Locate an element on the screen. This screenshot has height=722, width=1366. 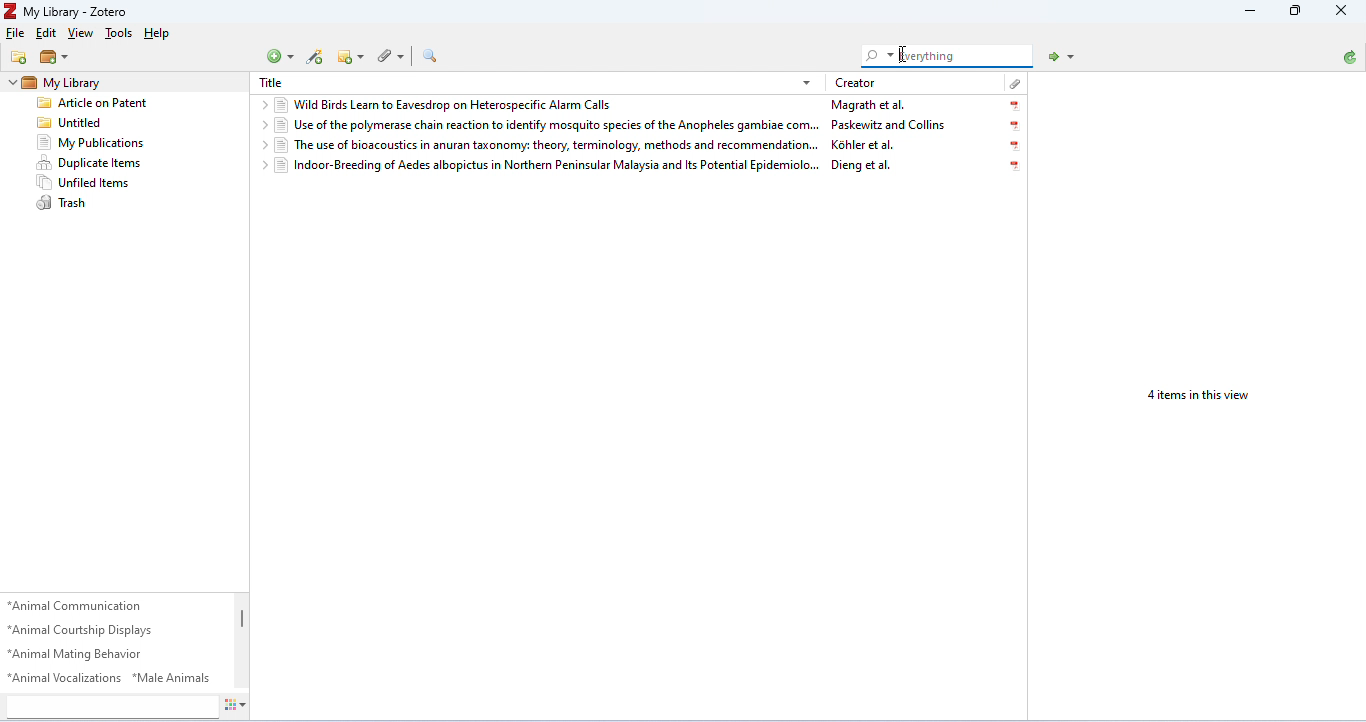
Use of the polymerase chain reaction to identify mosquito species of the Anopheles gambiae com... Paskewitz and Collins is located at coordinates (641, 125).